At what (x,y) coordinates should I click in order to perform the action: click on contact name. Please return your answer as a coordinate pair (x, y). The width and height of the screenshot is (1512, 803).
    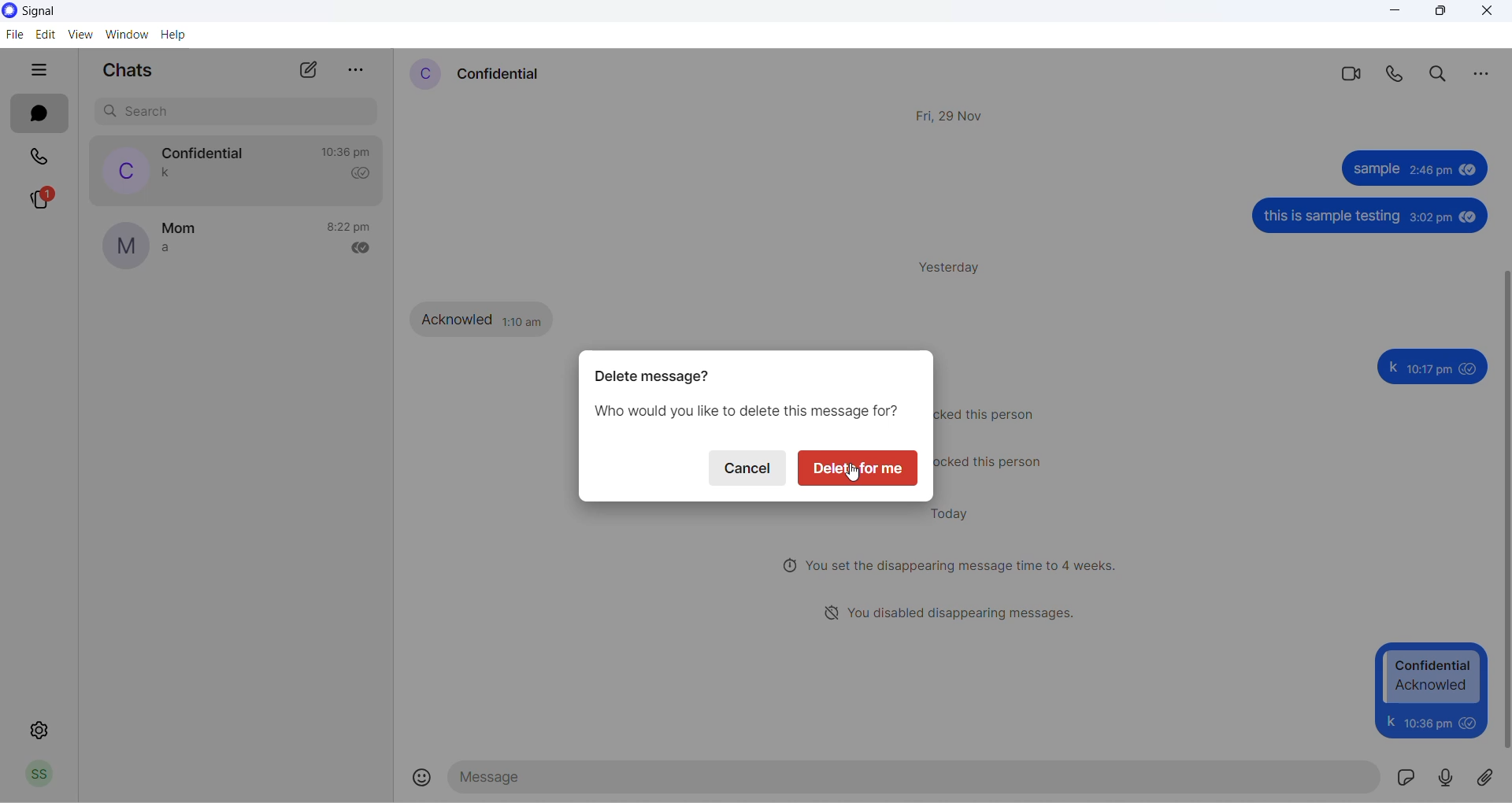
    Looking at the image, I should click on (502, 76).